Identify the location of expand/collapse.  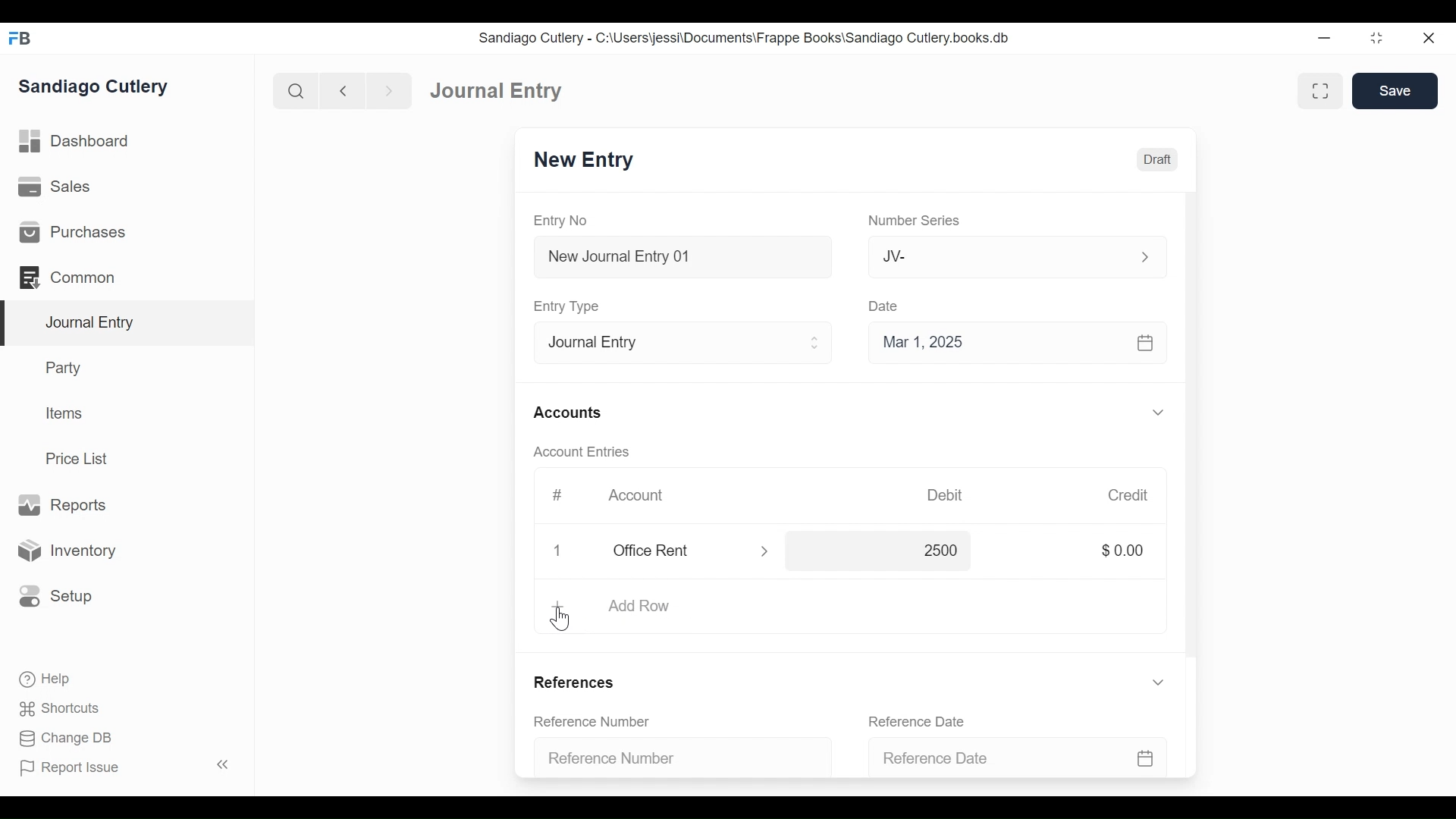
(1157, 412).